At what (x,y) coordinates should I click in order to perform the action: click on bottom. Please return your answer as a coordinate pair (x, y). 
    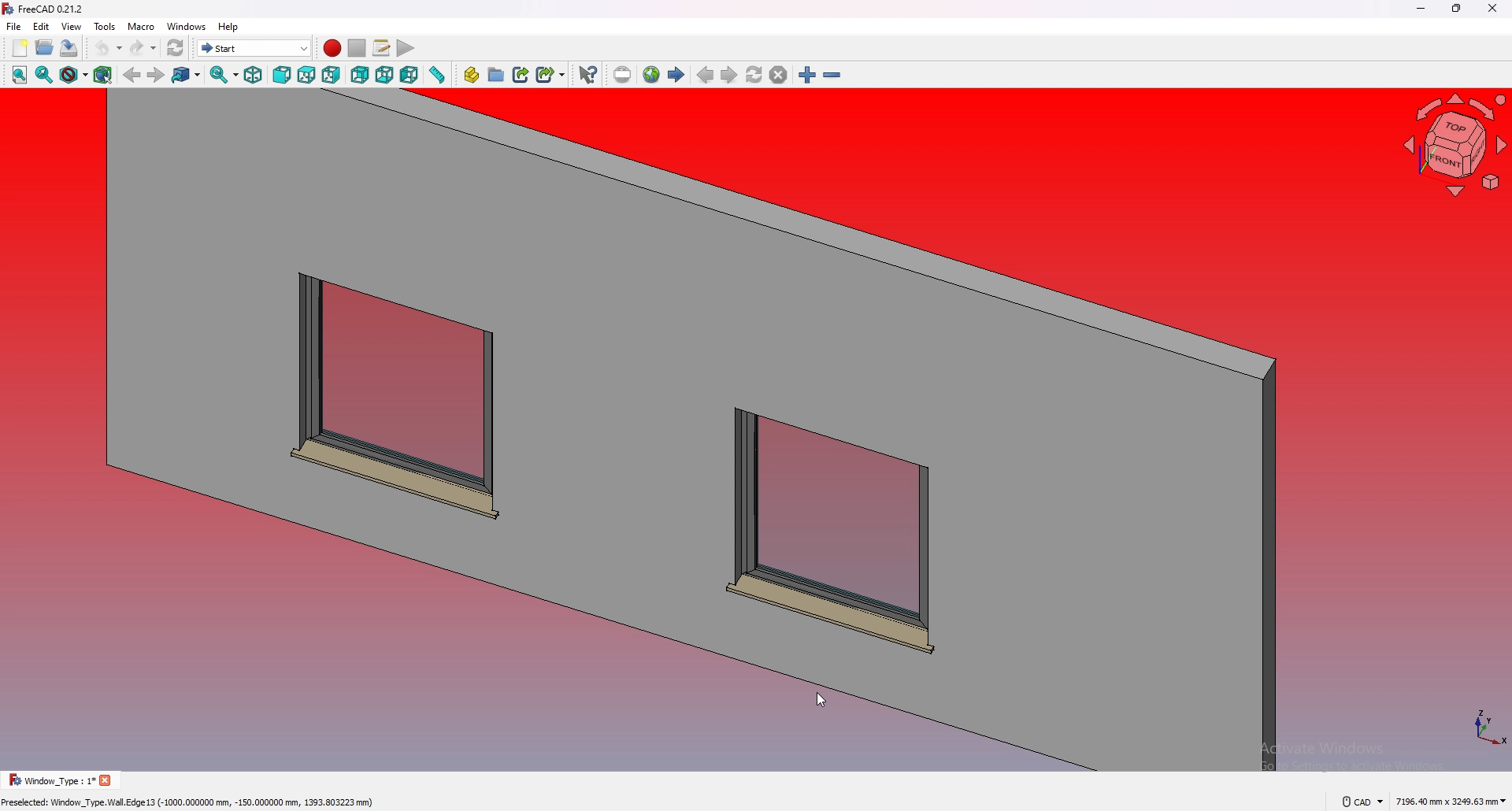
    Looking at the image, I should click on (385, 76).